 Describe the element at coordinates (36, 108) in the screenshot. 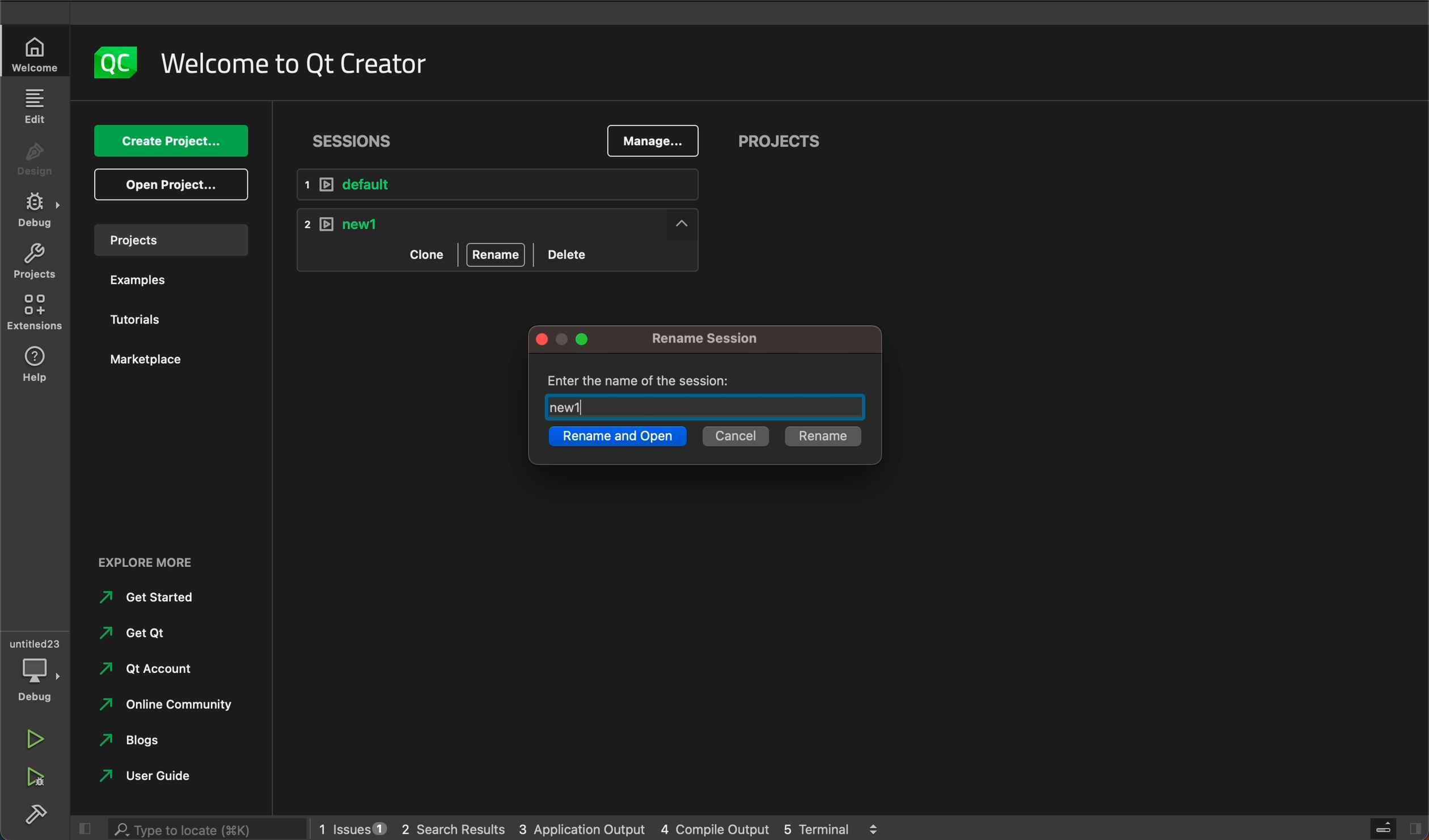

I see `edit` at that location.